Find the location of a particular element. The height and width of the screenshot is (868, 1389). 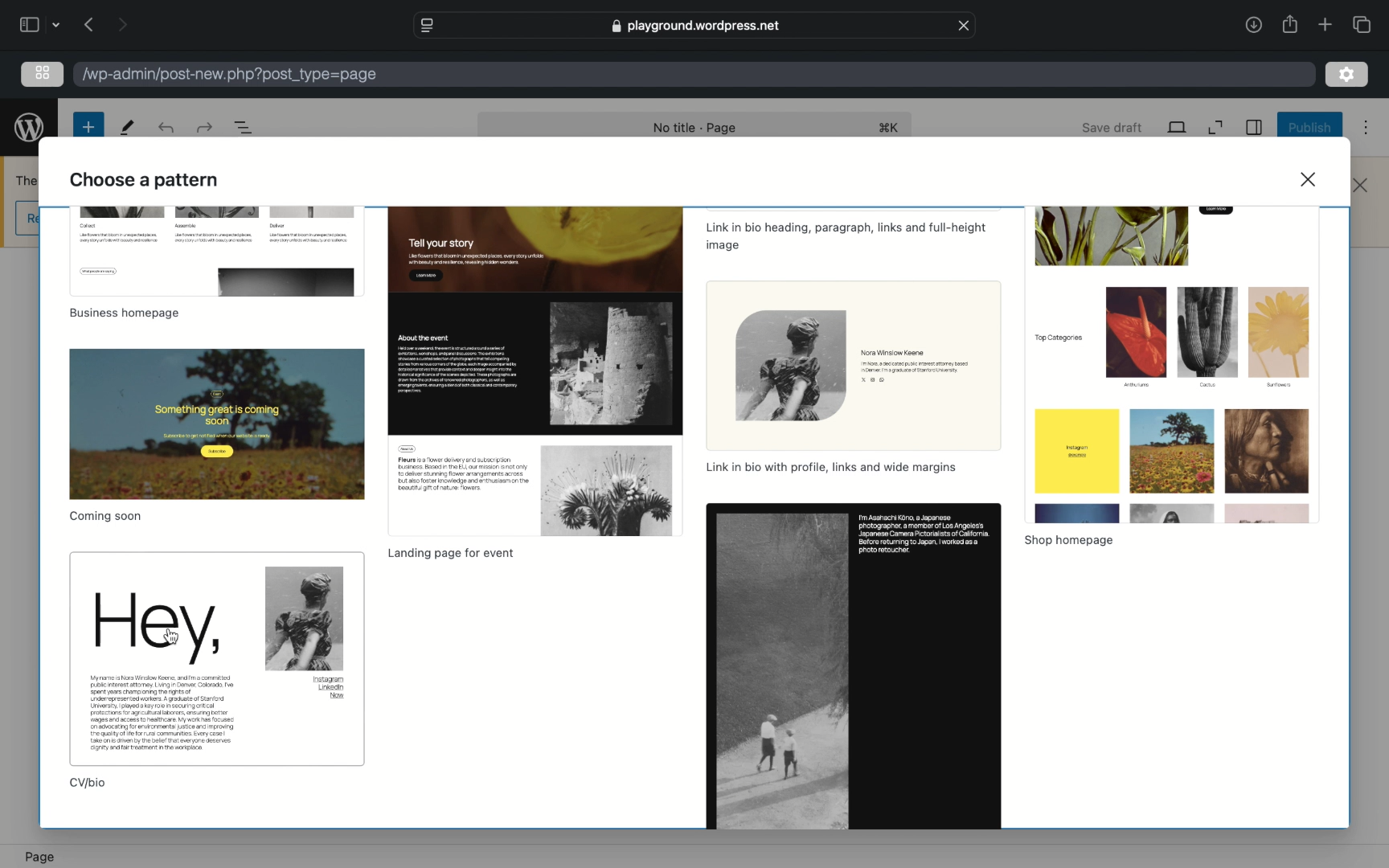

save draft is located at coordinates (1110, 127).